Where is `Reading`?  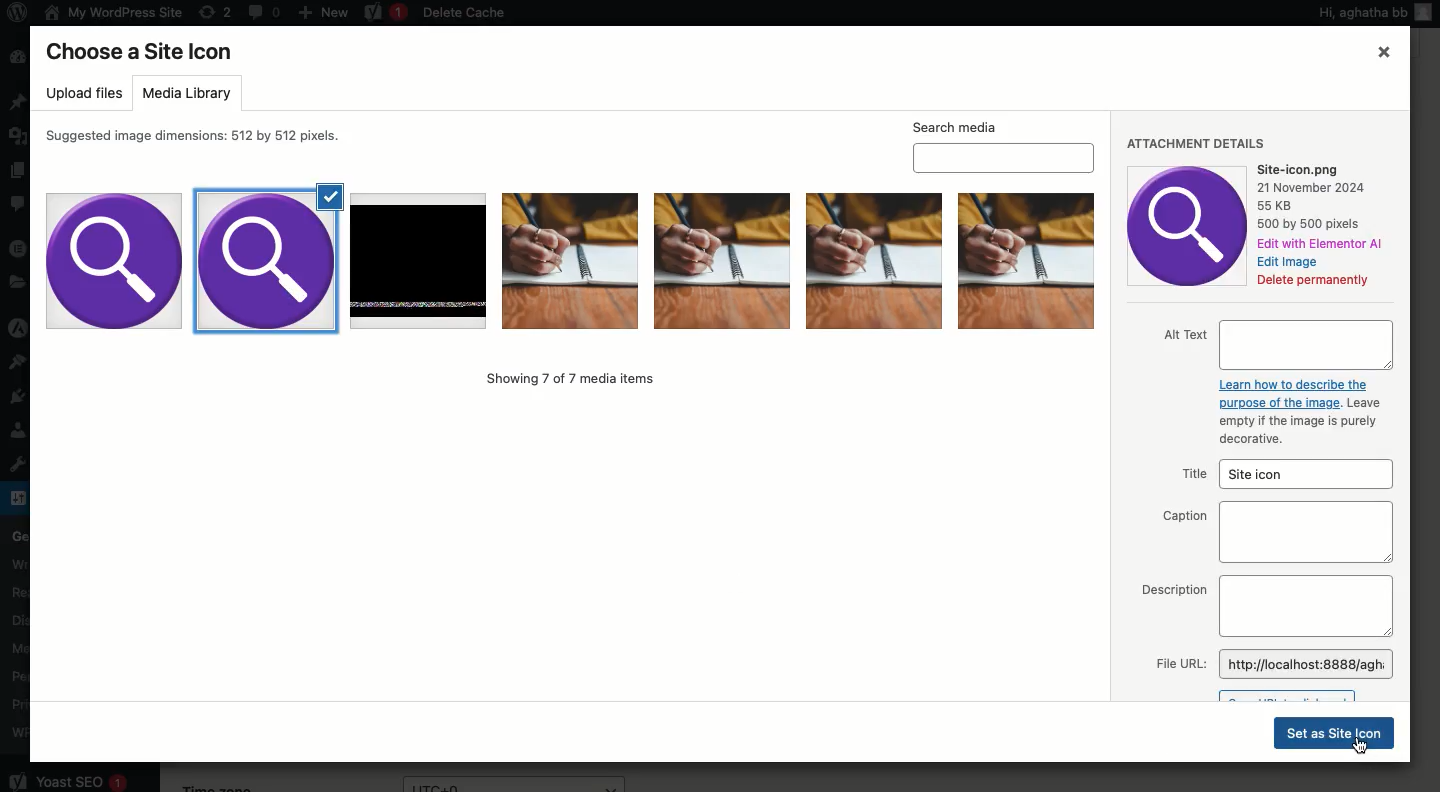
Reading is located at coordinates (21, 589).